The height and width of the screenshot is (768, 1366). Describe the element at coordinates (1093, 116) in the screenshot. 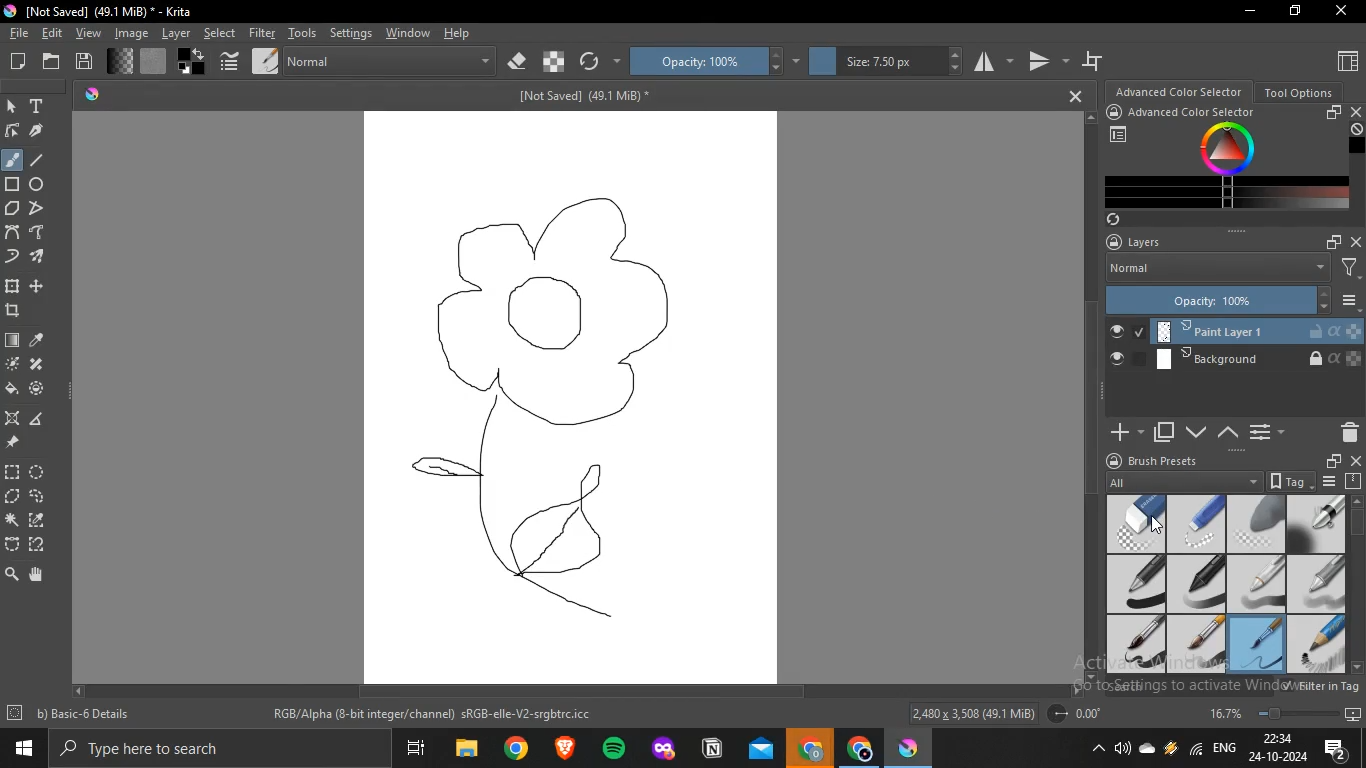

I see `Up` at that location.